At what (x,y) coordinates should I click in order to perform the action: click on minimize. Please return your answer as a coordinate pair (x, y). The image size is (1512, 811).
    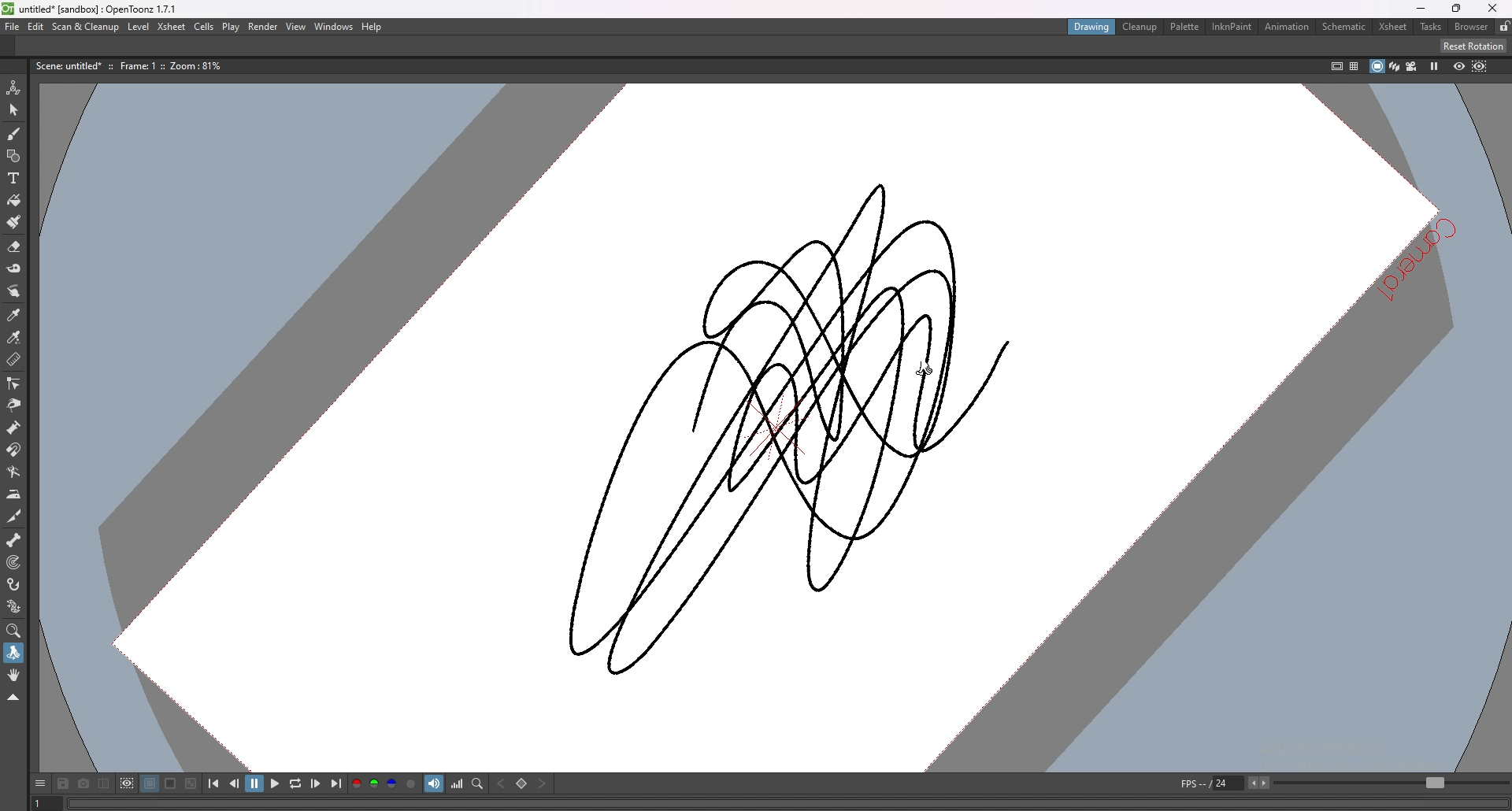
    Looking at the image, I should click on (1422, 9).